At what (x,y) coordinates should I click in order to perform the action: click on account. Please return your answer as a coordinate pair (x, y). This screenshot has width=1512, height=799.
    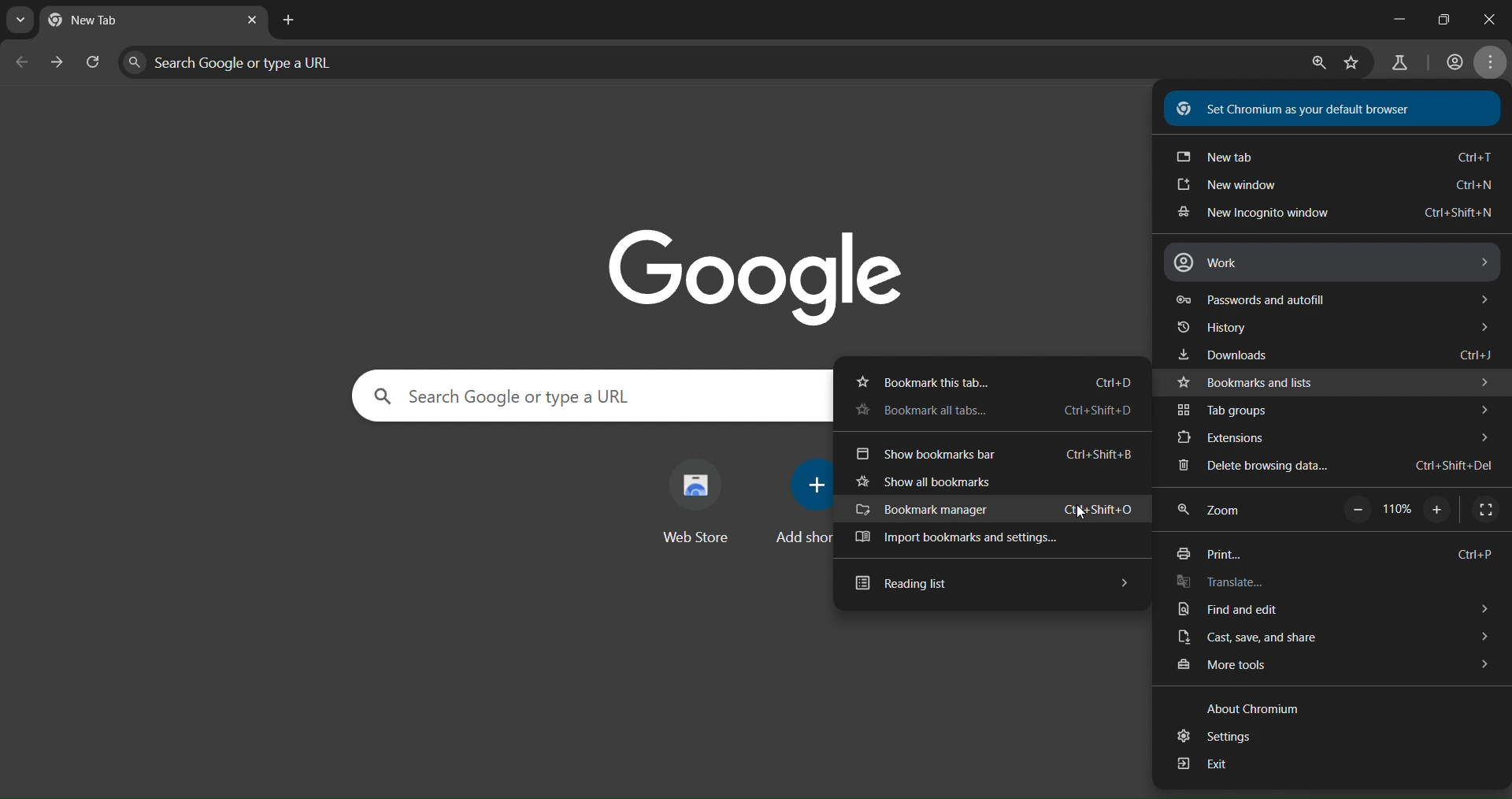
    Looking at the image, I should click on (1453, 62).